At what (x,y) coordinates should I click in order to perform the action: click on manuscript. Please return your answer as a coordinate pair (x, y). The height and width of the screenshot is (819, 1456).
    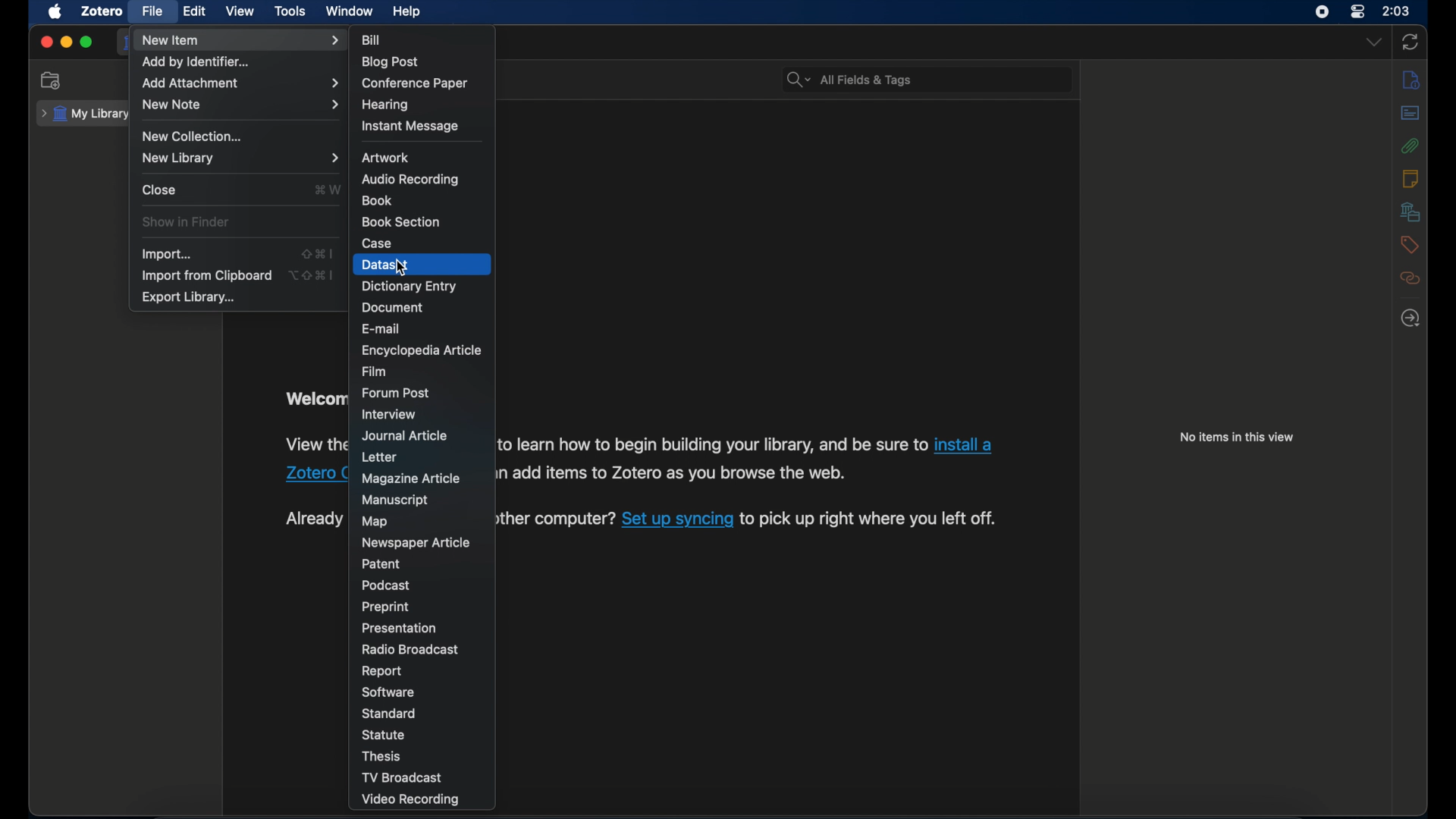
    Looking at the image, I should click on (396, 500).